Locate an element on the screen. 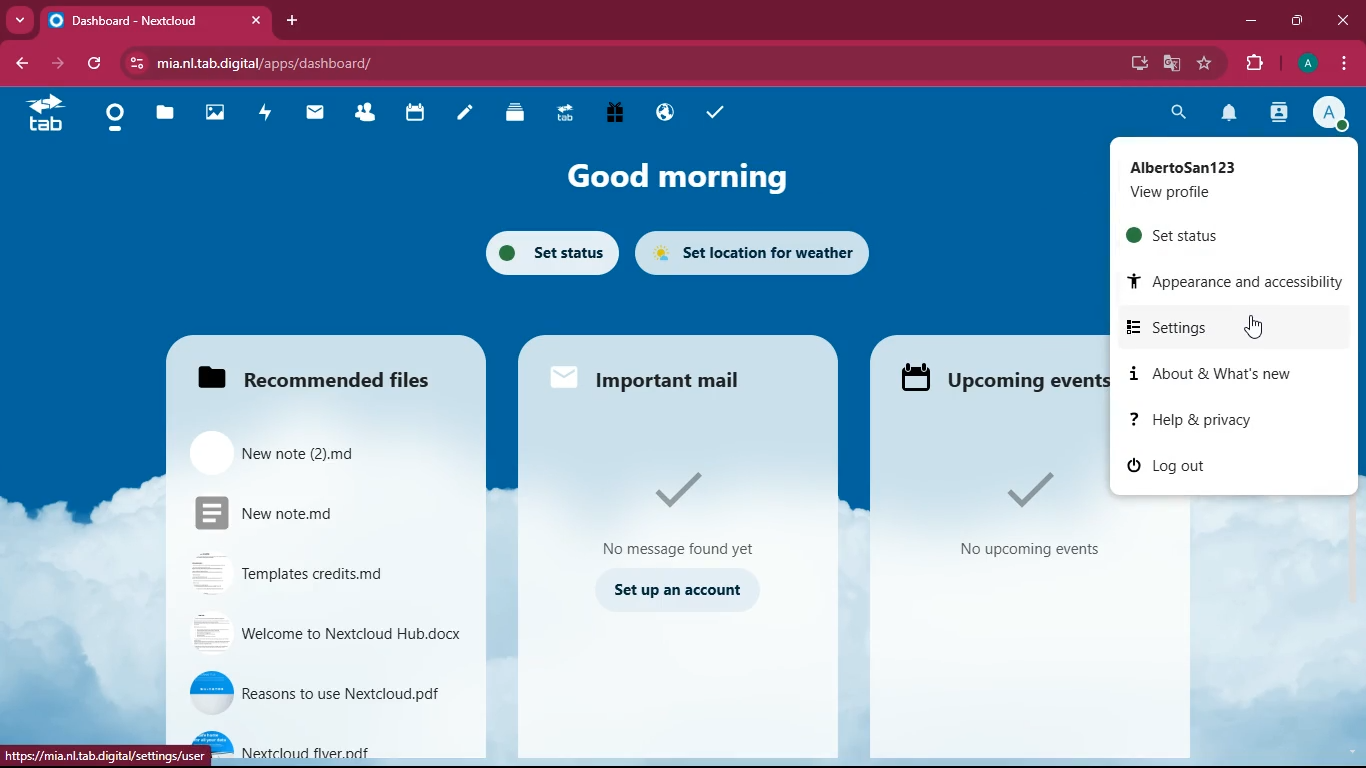  tasks is located at coordinates (718, 112).